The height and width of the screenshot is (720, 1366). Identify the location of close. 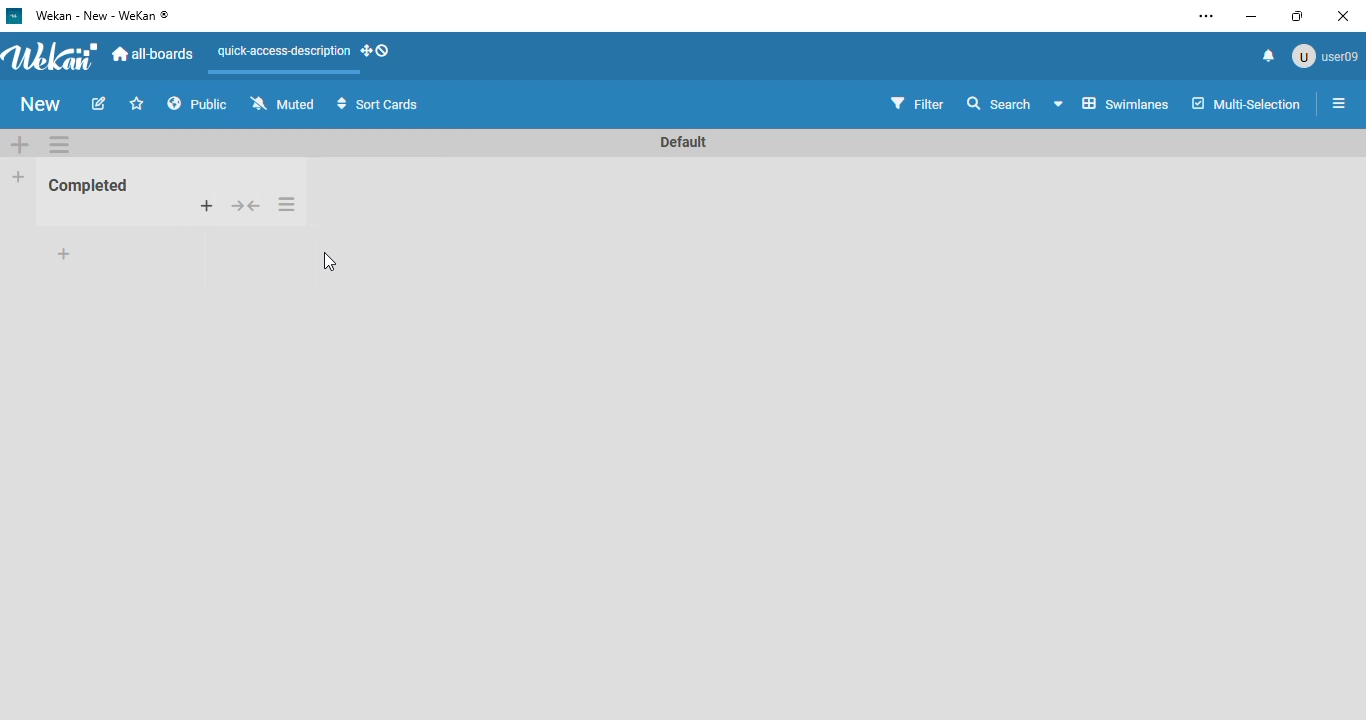
(1343, 17).